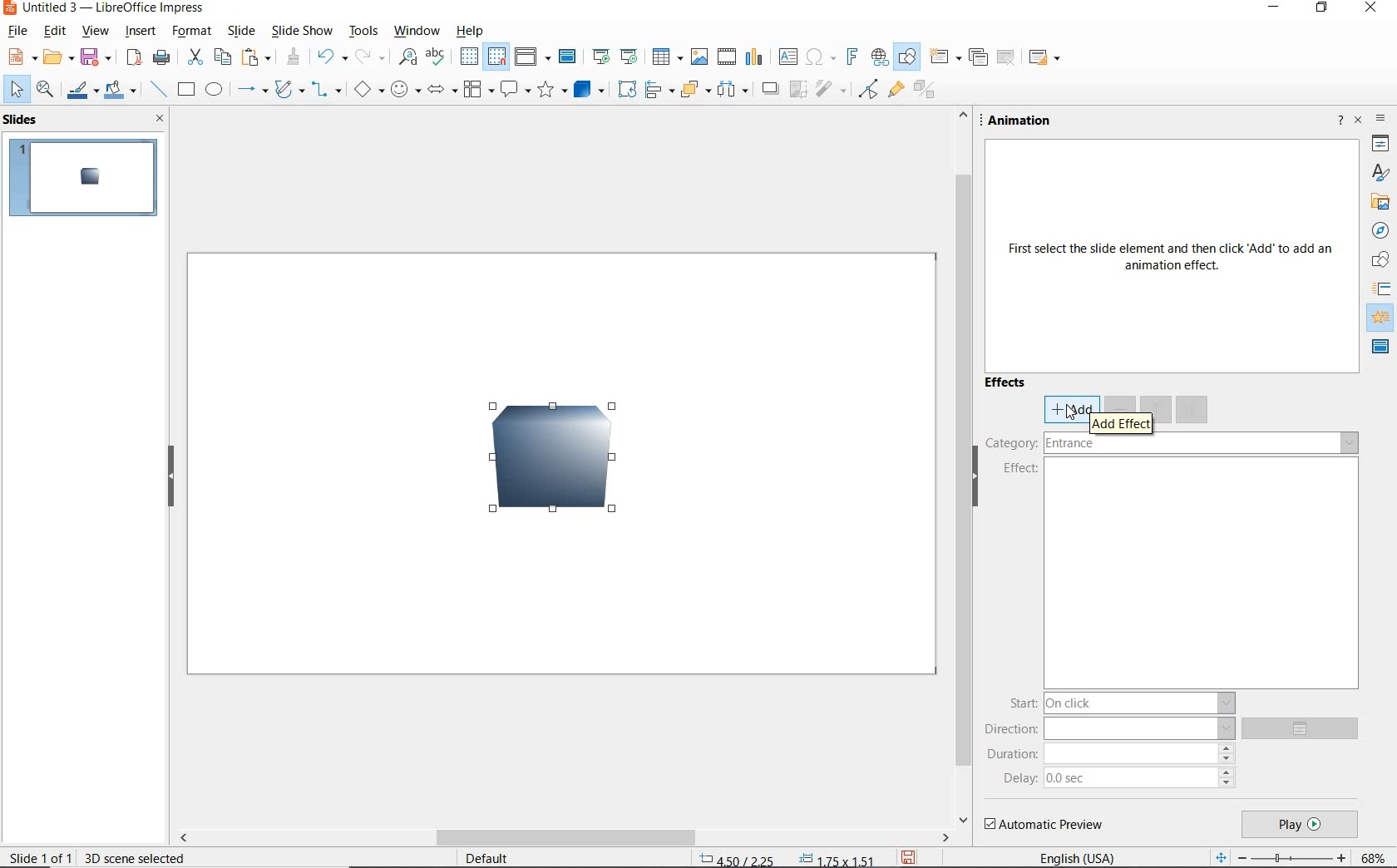 Image resolution: width=1397 pixels, height=868 pixels. I want to click on insert, so click(141, 32).